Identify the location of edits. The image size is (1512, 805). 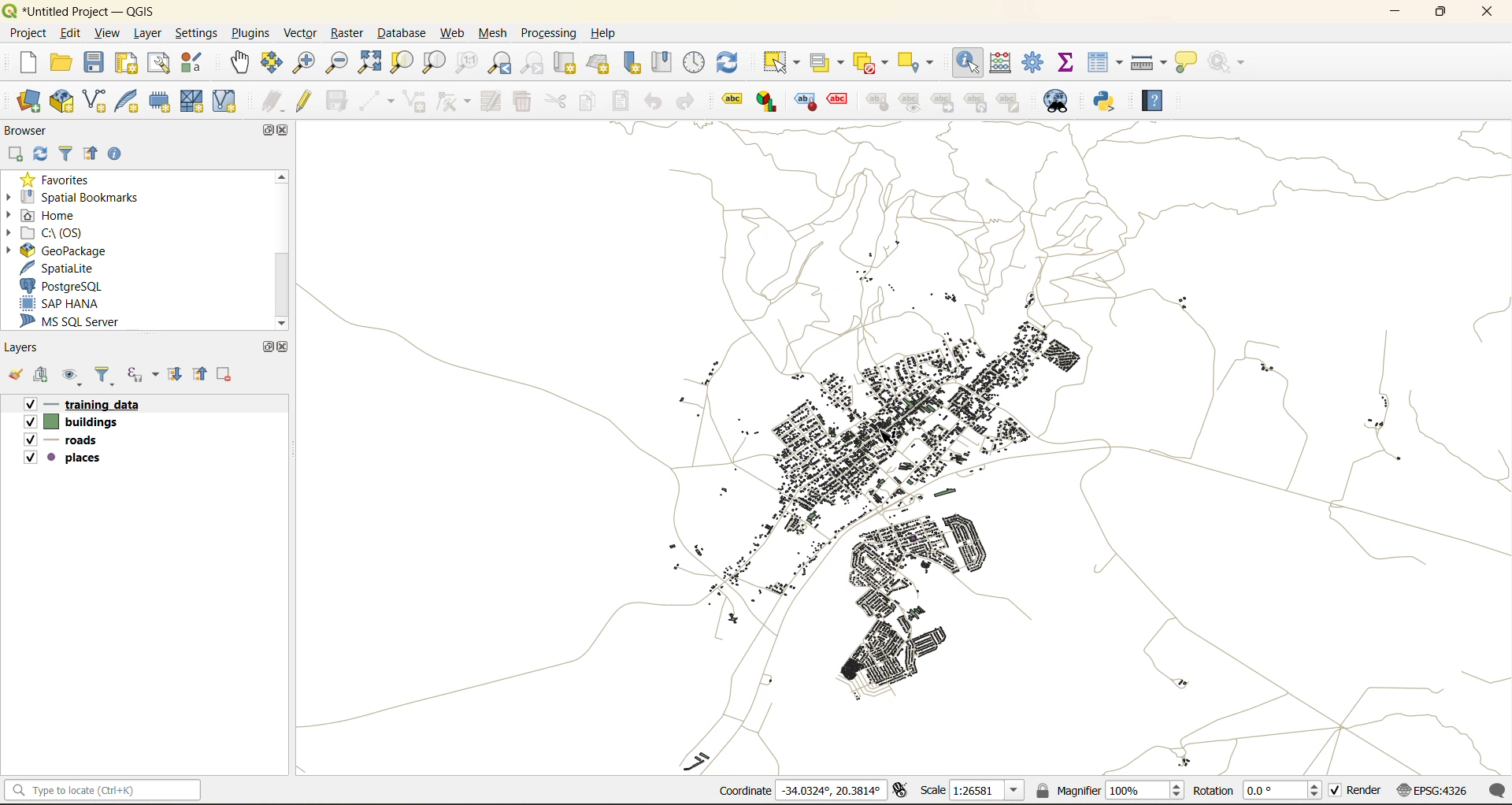
(273, 102).